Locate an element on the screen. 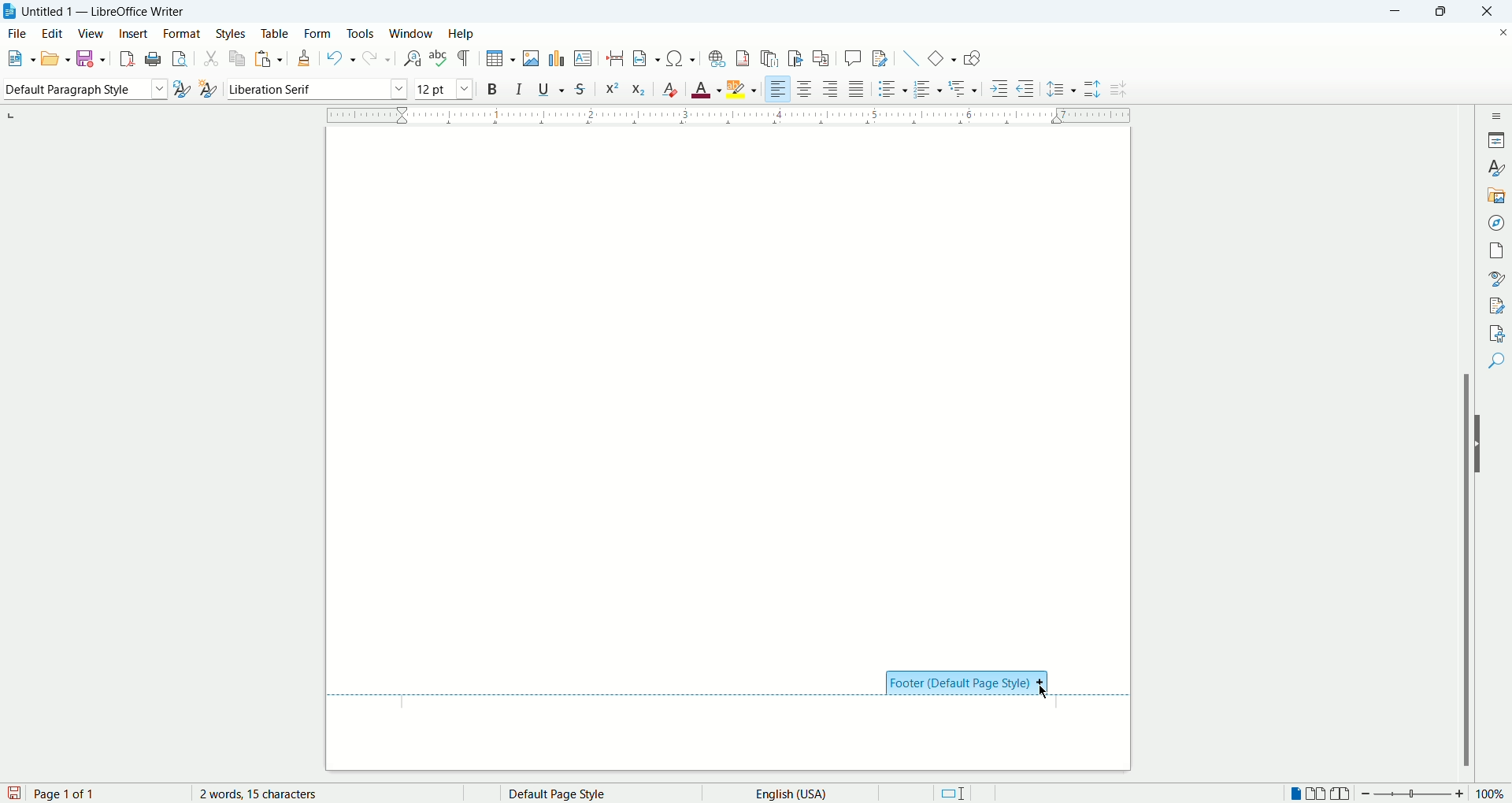  insert is located at coordinates (133, 33).